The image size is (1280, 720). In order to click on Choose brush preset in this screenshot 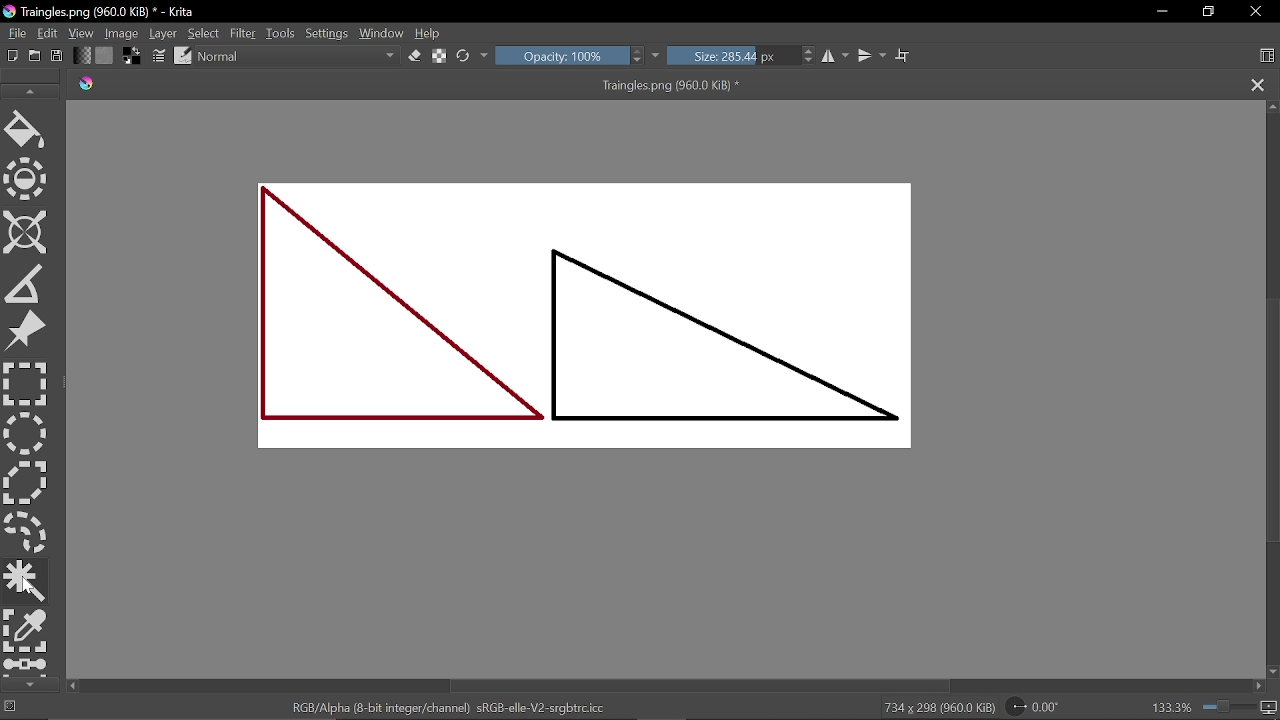, I will do `click(184, 56)`.